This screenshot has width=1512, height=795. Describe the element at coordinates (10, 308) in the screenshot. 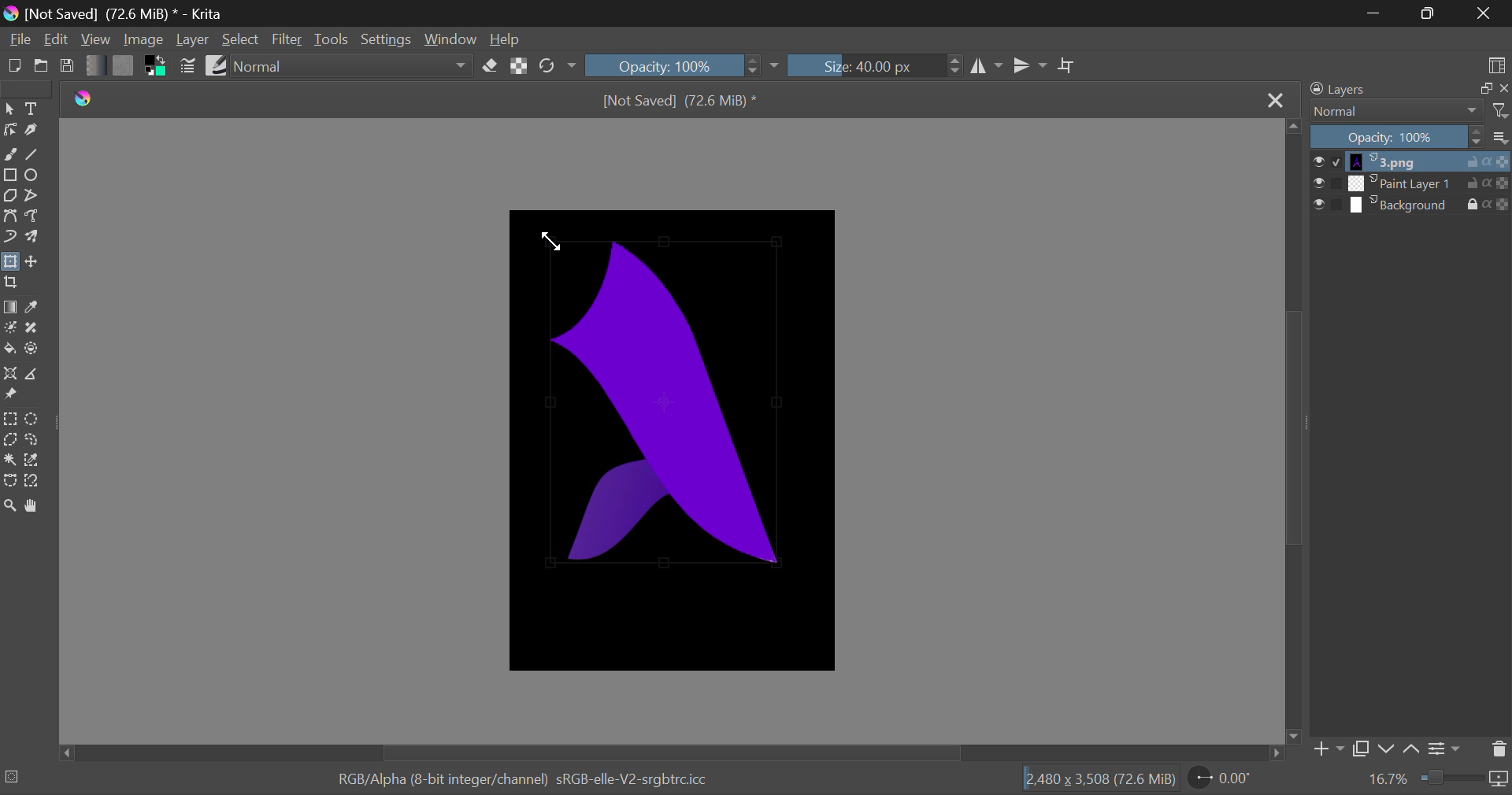

I see `Gradient Fill` at that location.